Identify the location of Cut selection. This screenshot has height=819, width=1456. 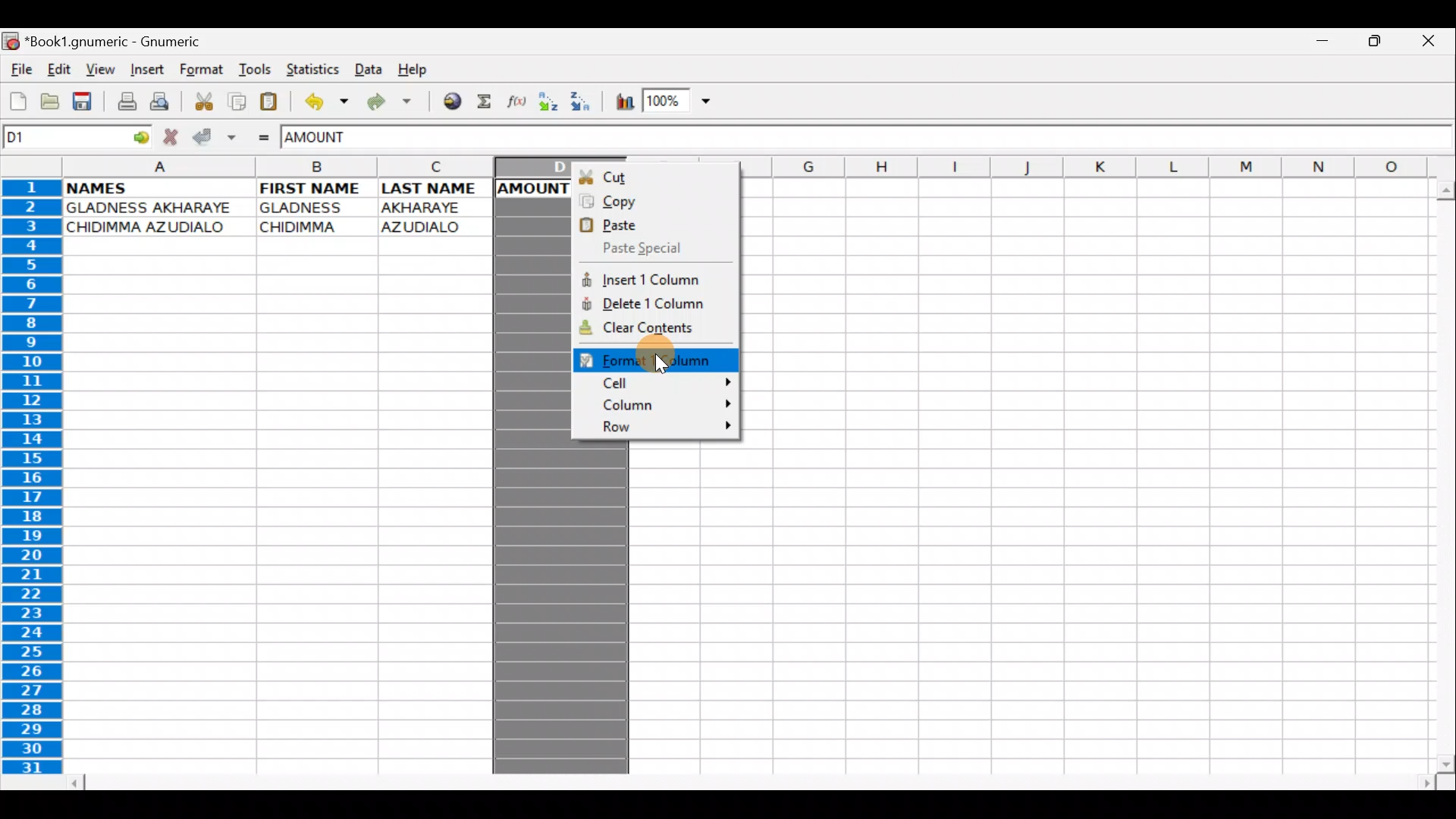
(200, 101).